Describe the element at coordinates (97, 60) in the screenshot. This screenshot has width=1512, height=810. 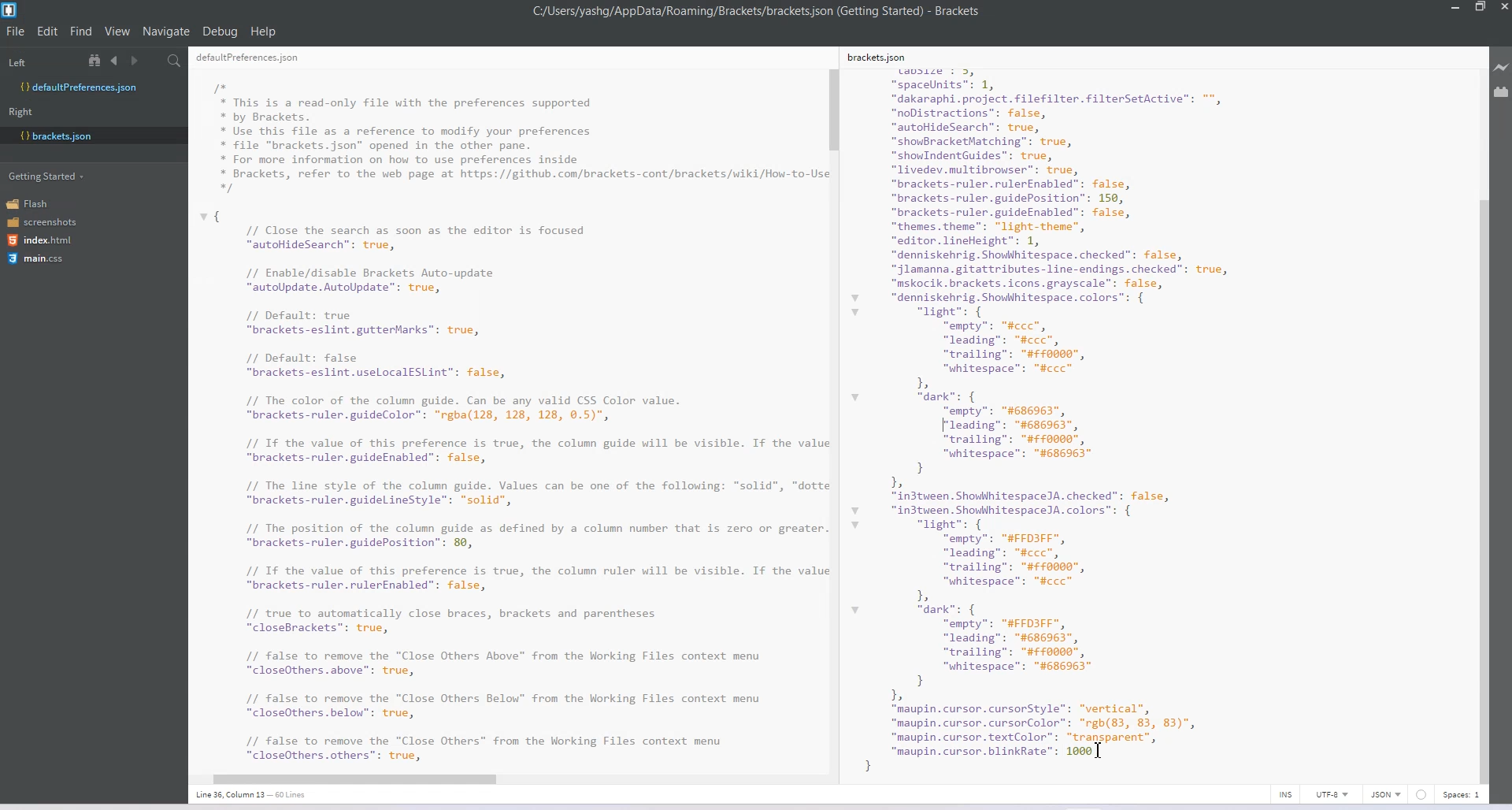
I see `View in file Tree` at that location.